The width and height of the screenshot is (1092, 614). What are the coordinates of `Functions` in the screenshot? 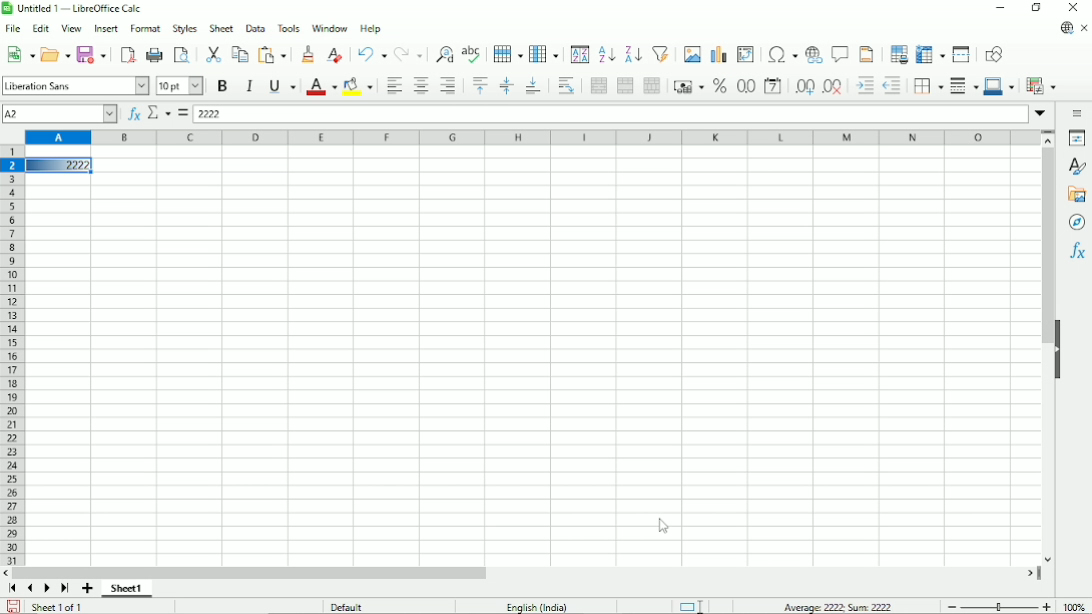 It's located at (1078, 251).